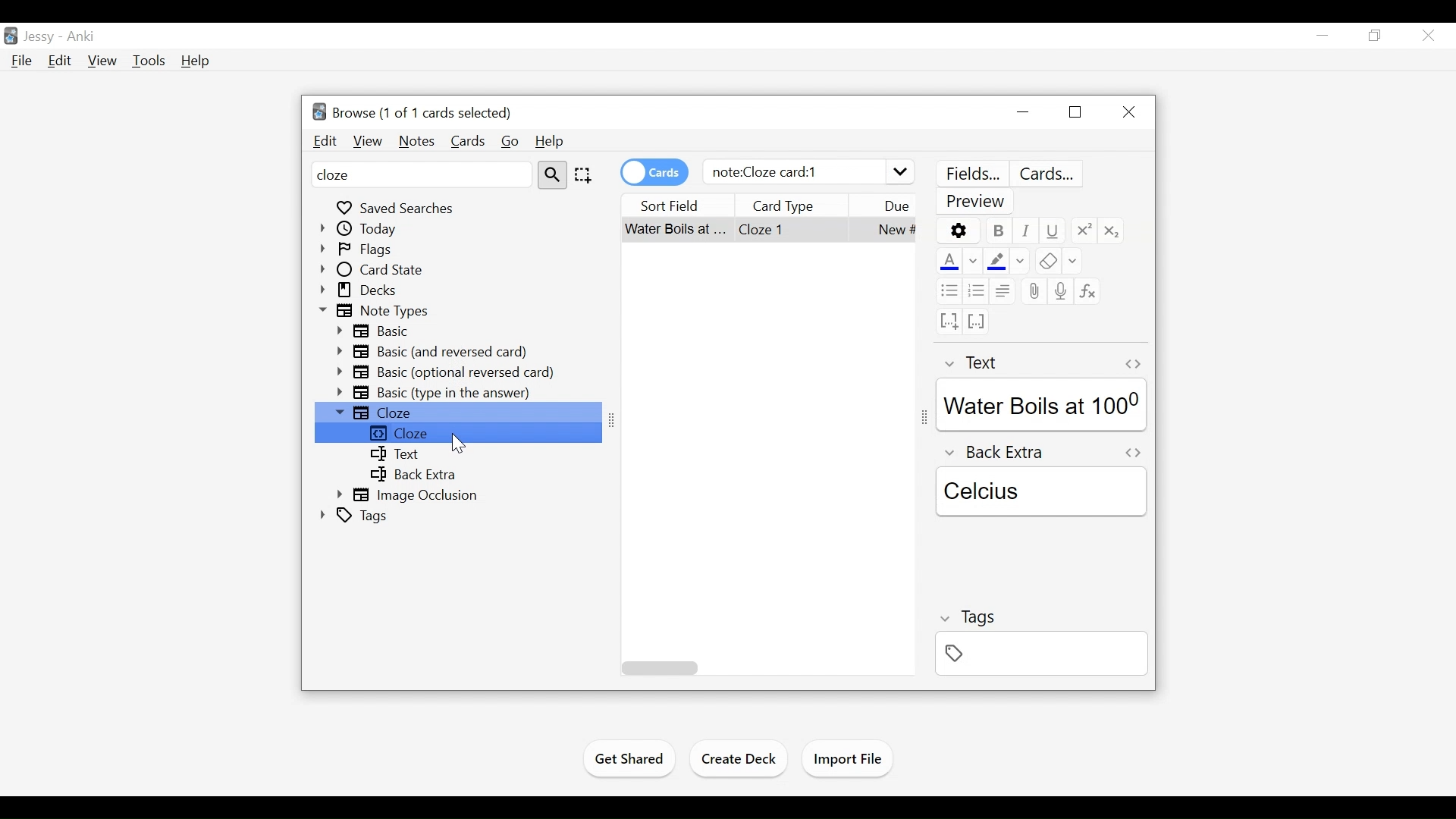 The image size is (1456, 819). What do you see at coordinates (795, 206) in the screenshot?
I see `Card Type` at bounding box center [795, 206].